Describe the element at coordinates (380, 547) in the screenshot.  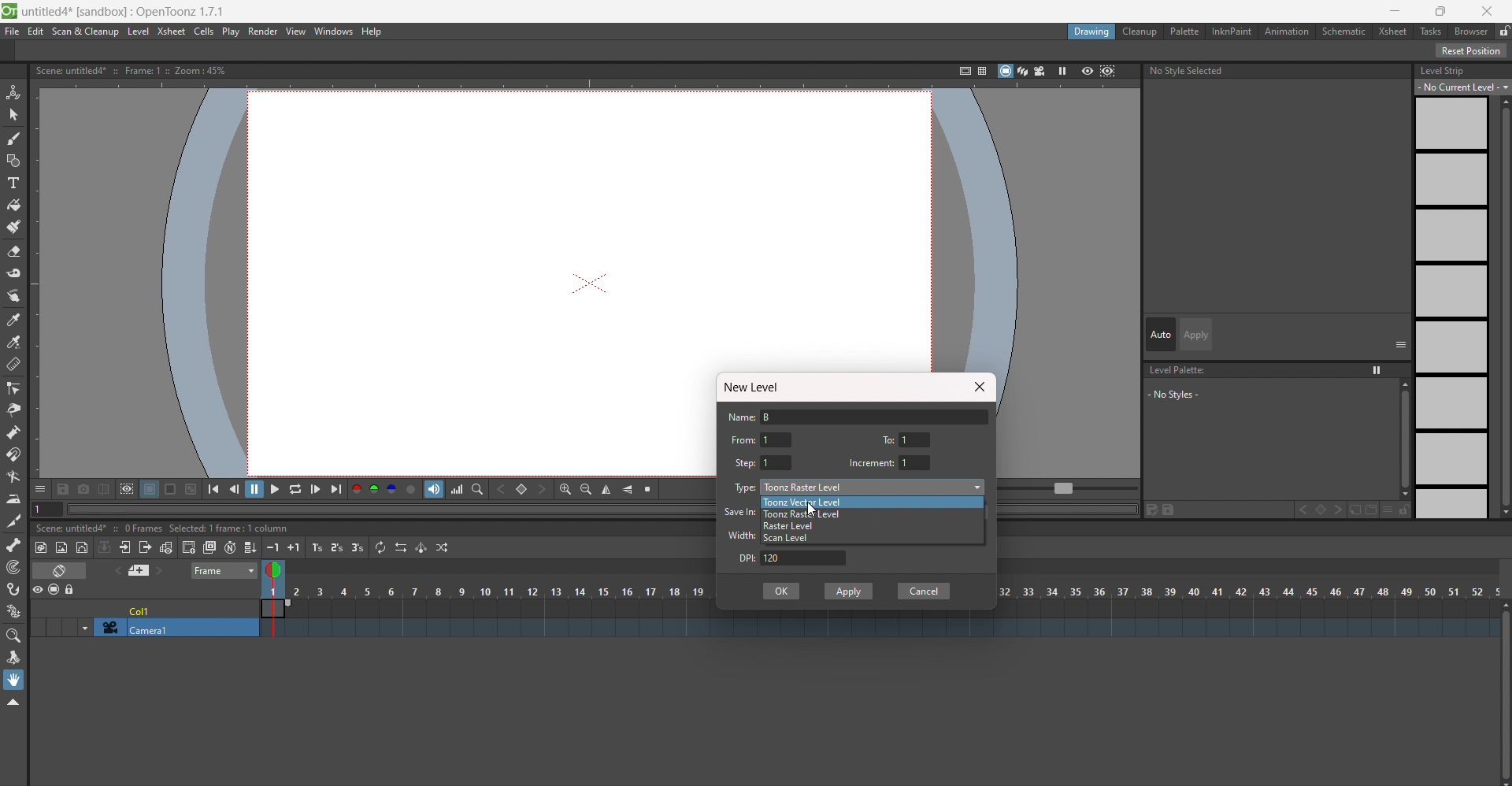
I see `repeat` at that location.